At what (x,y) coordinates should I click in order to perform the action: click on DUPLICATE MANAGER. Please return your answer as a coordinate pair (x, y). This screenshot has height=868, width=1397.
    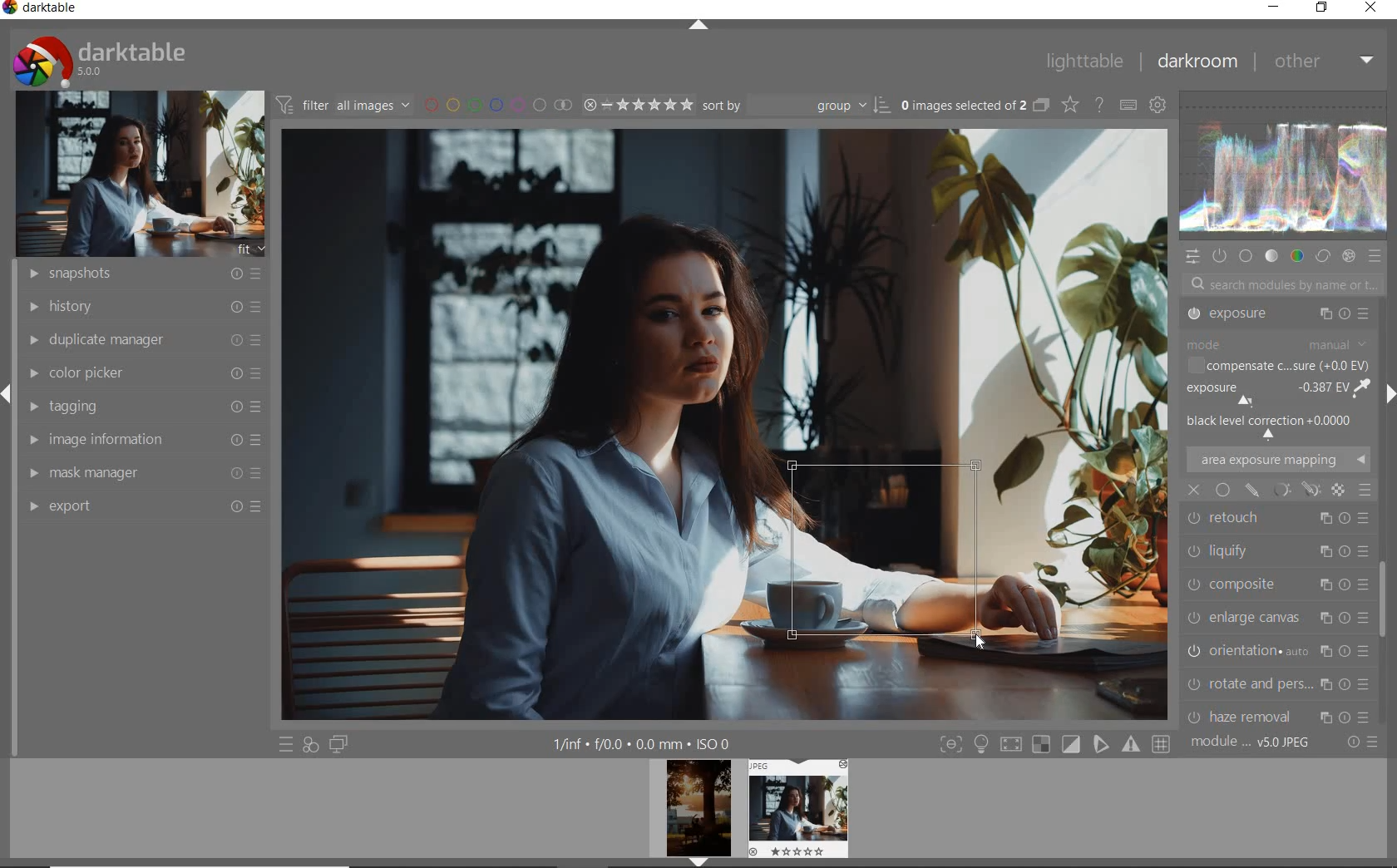
    Looking at the image, I should click on (141, 340).